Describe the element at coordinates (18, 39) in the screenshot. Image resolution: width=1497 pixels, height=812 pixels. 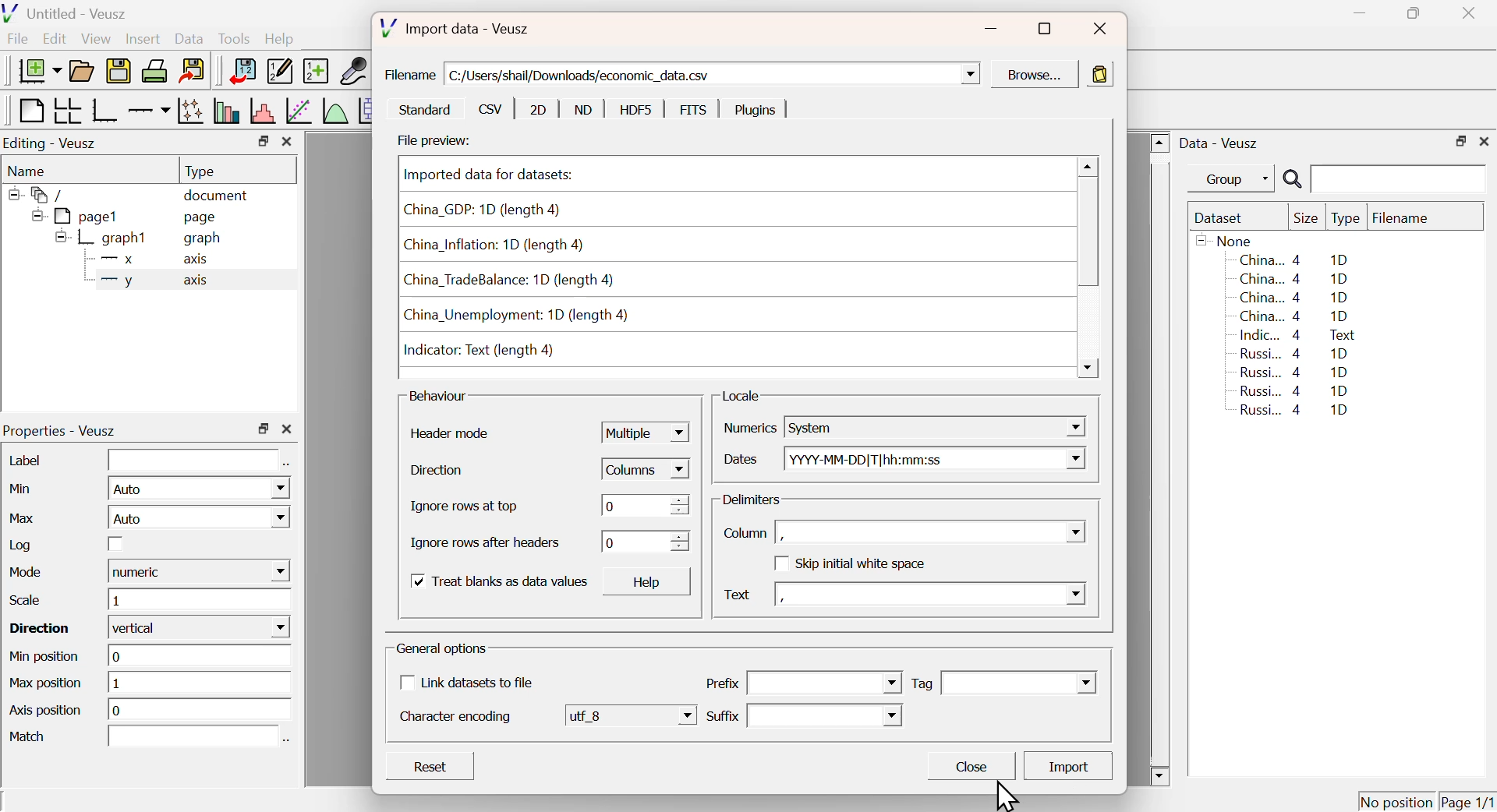
I see `File` at that location.